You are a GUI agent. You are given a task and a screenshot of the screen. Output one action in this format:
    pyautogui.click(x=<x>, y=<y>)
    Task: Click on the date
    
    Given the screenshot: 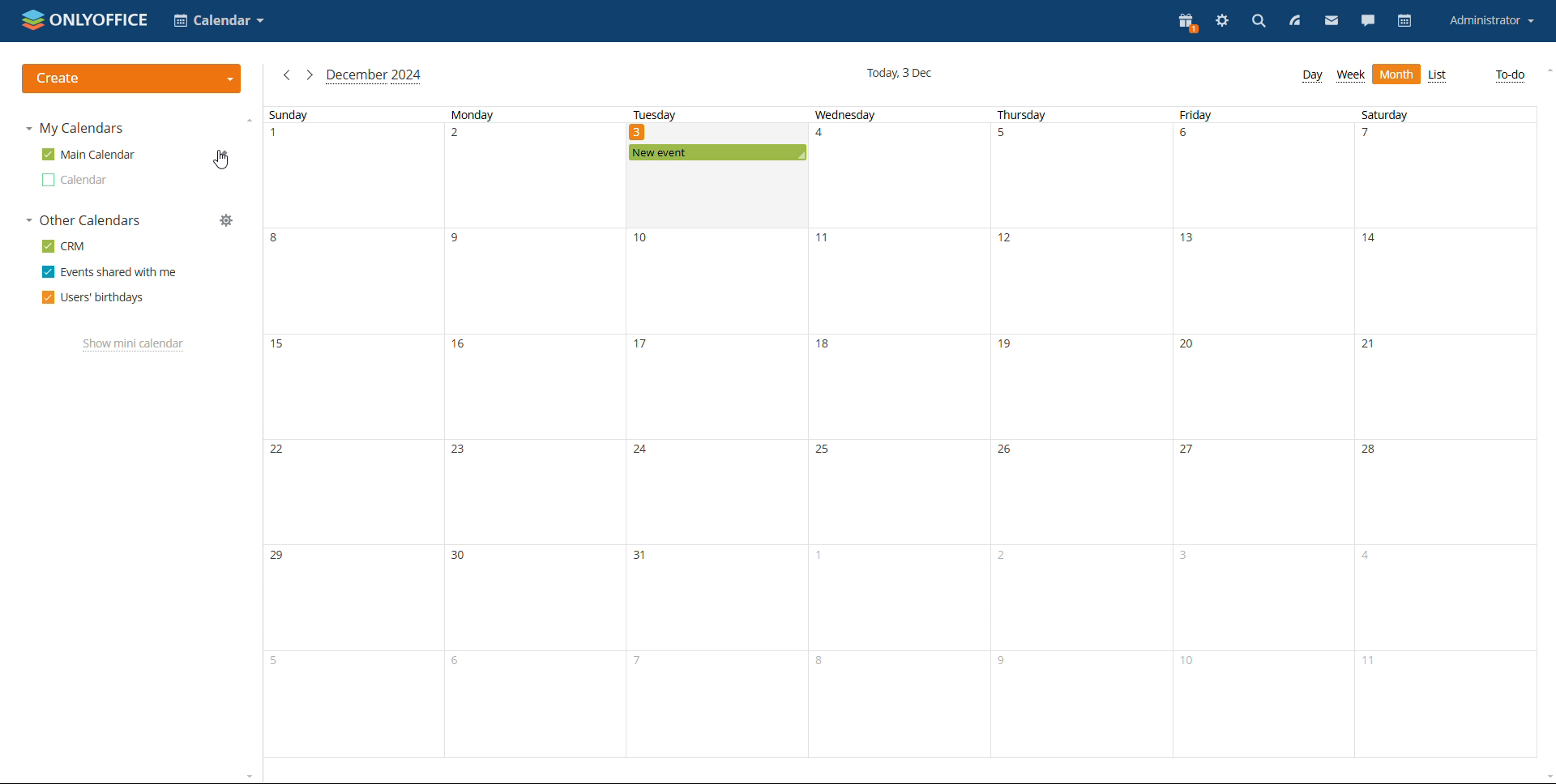 What is the action you would take?
    pyautogui.click(x=1263, y=388)
    